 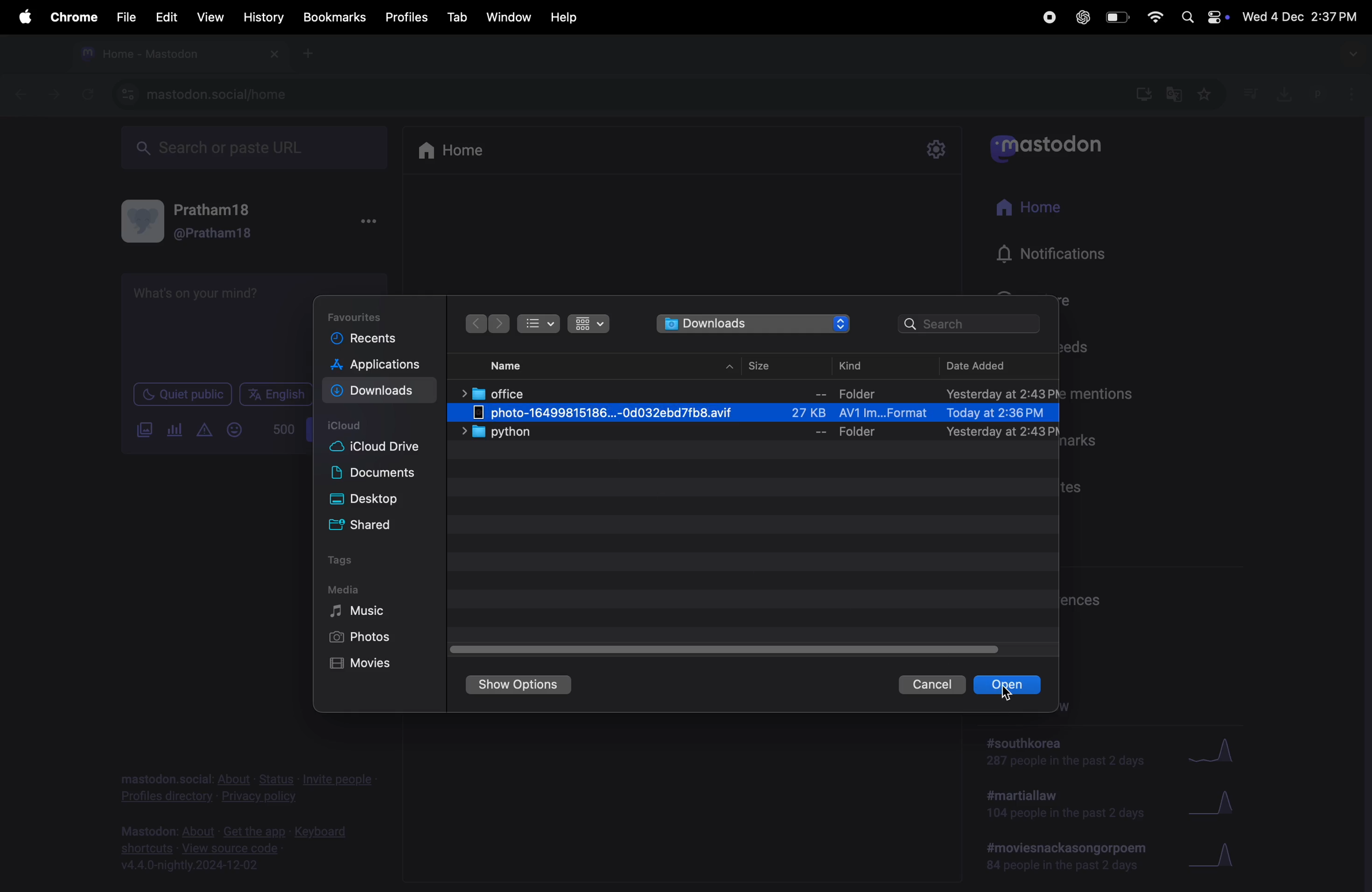 I want to click on Tab, so click(x=459, y=16).